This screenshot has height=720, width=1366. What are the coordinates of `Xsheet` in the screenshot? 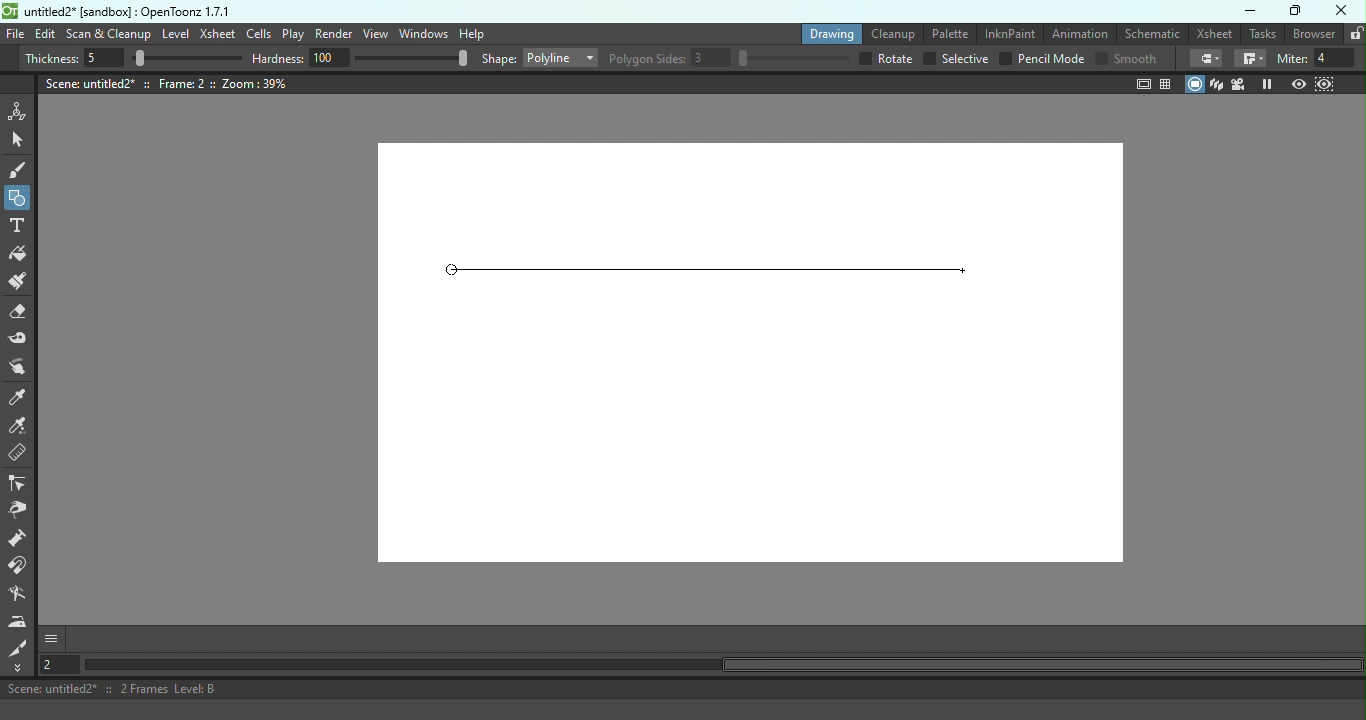 It's located at (1214, 33).